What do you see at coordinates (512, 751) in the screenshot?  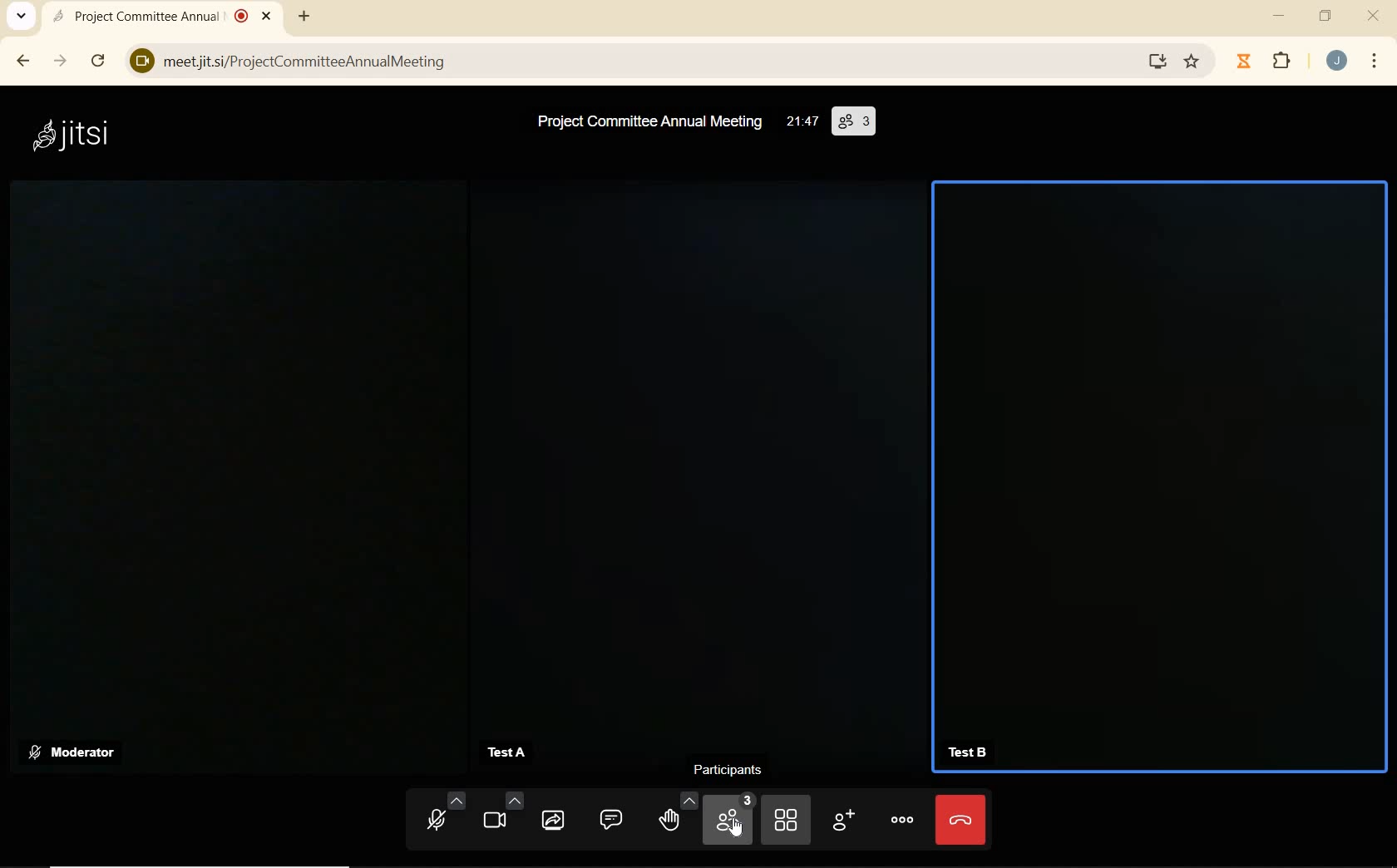 I see `Test A` at bounding box center [512, 751].